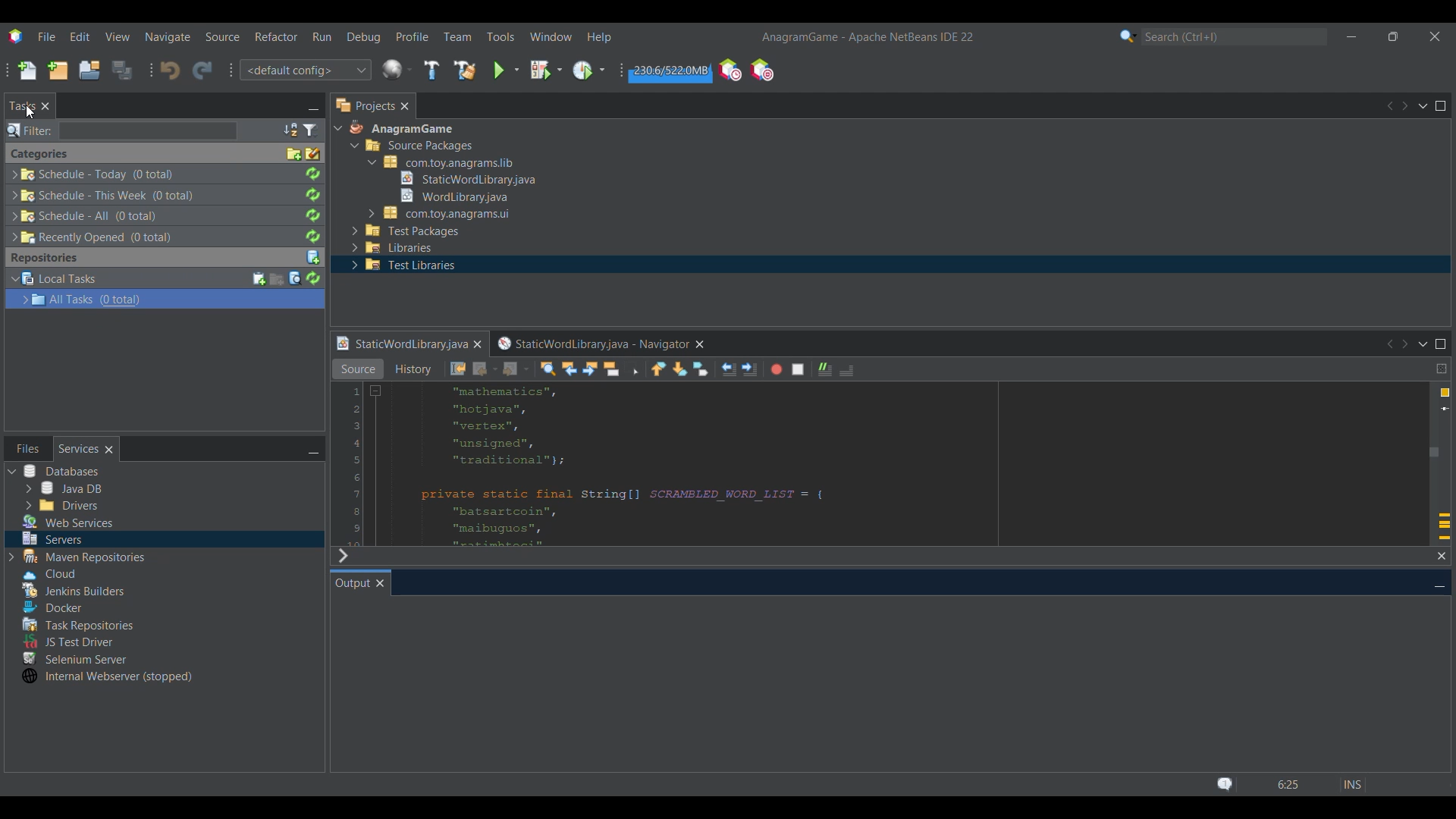 The width and height of the screenshot is (1456, 819). Describe the element at coordinates (364, 105) in the screenshot. I see `Projects tab` at that location.